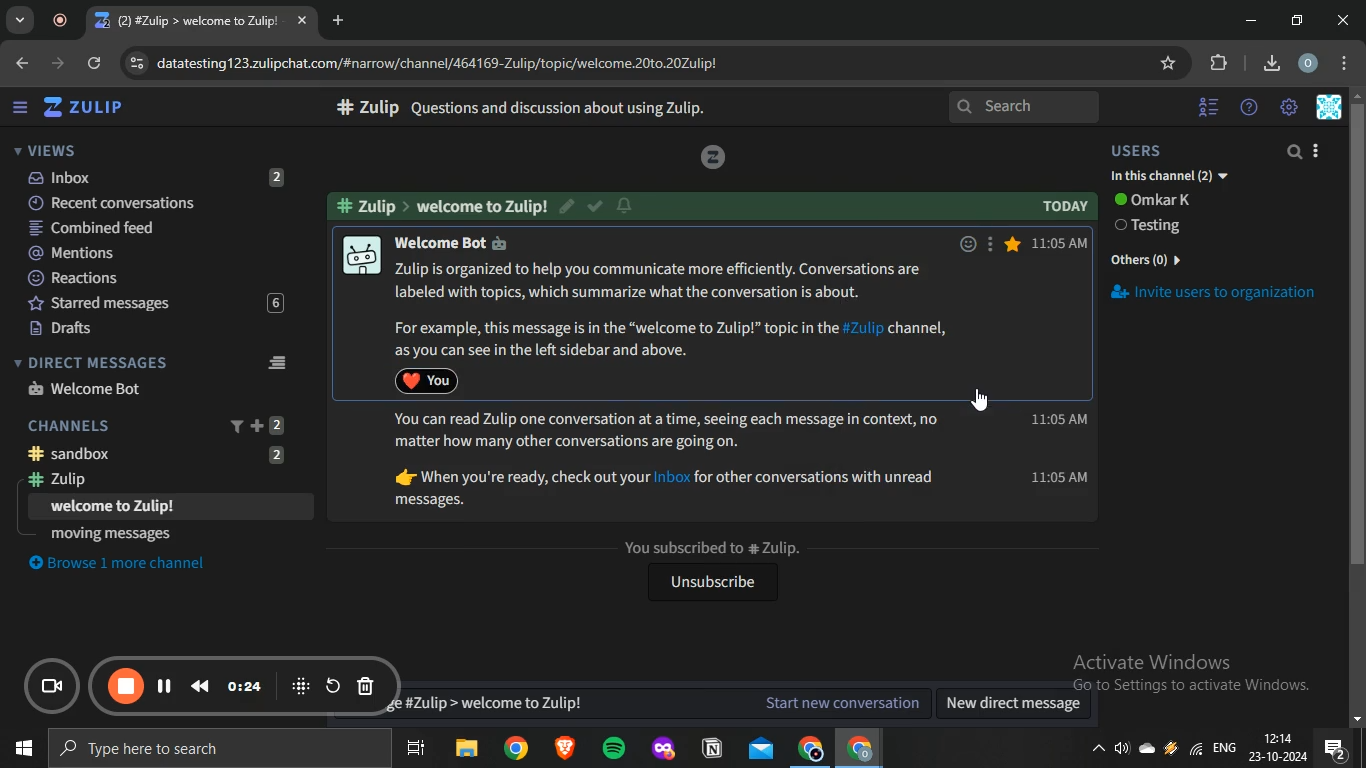 This screenshot has height=768, width=1366. Describe the element at coordinates (1316, 152) in the screenshot. I see `` at that location.